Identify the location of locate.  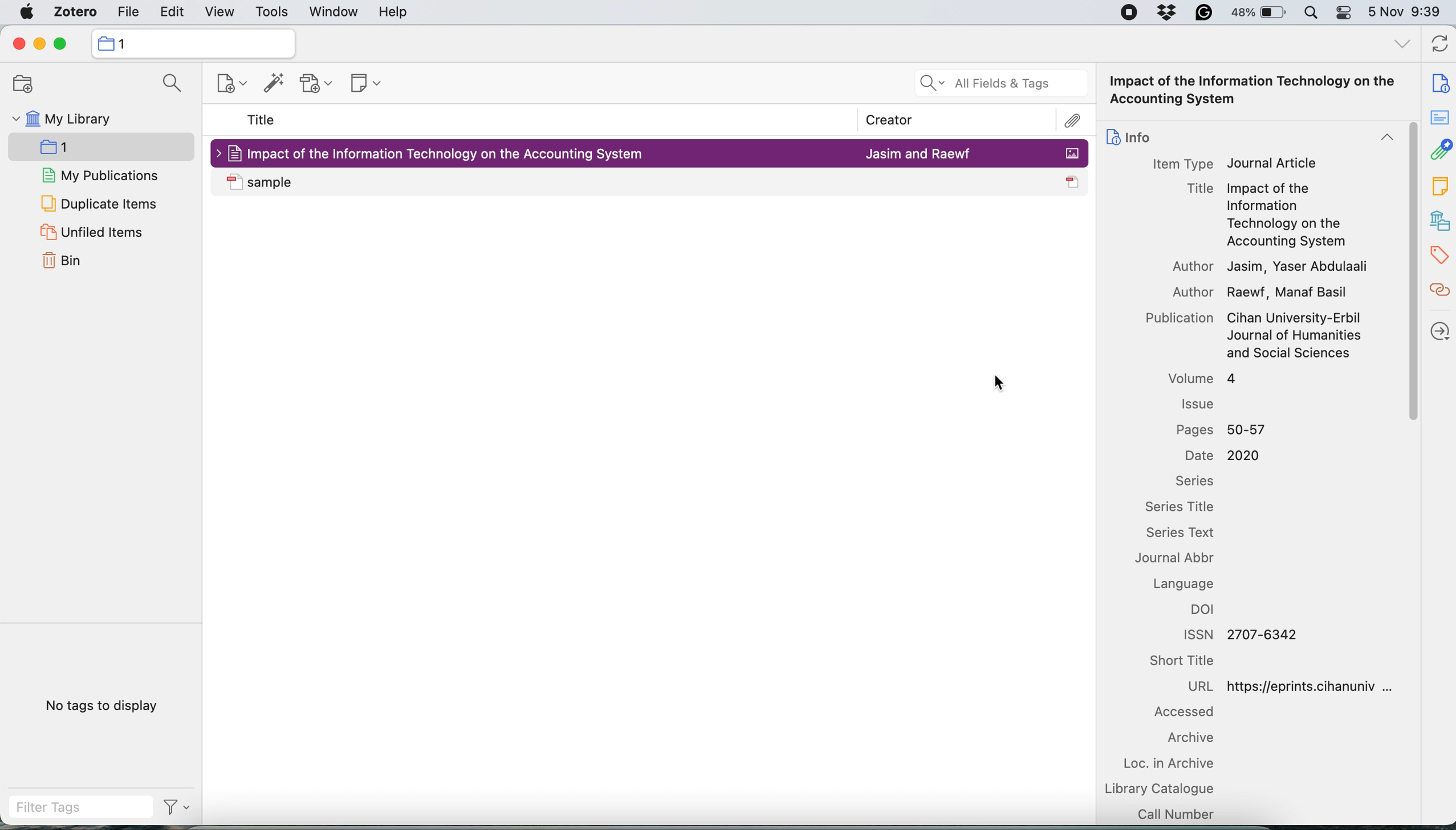
(1439, 330).